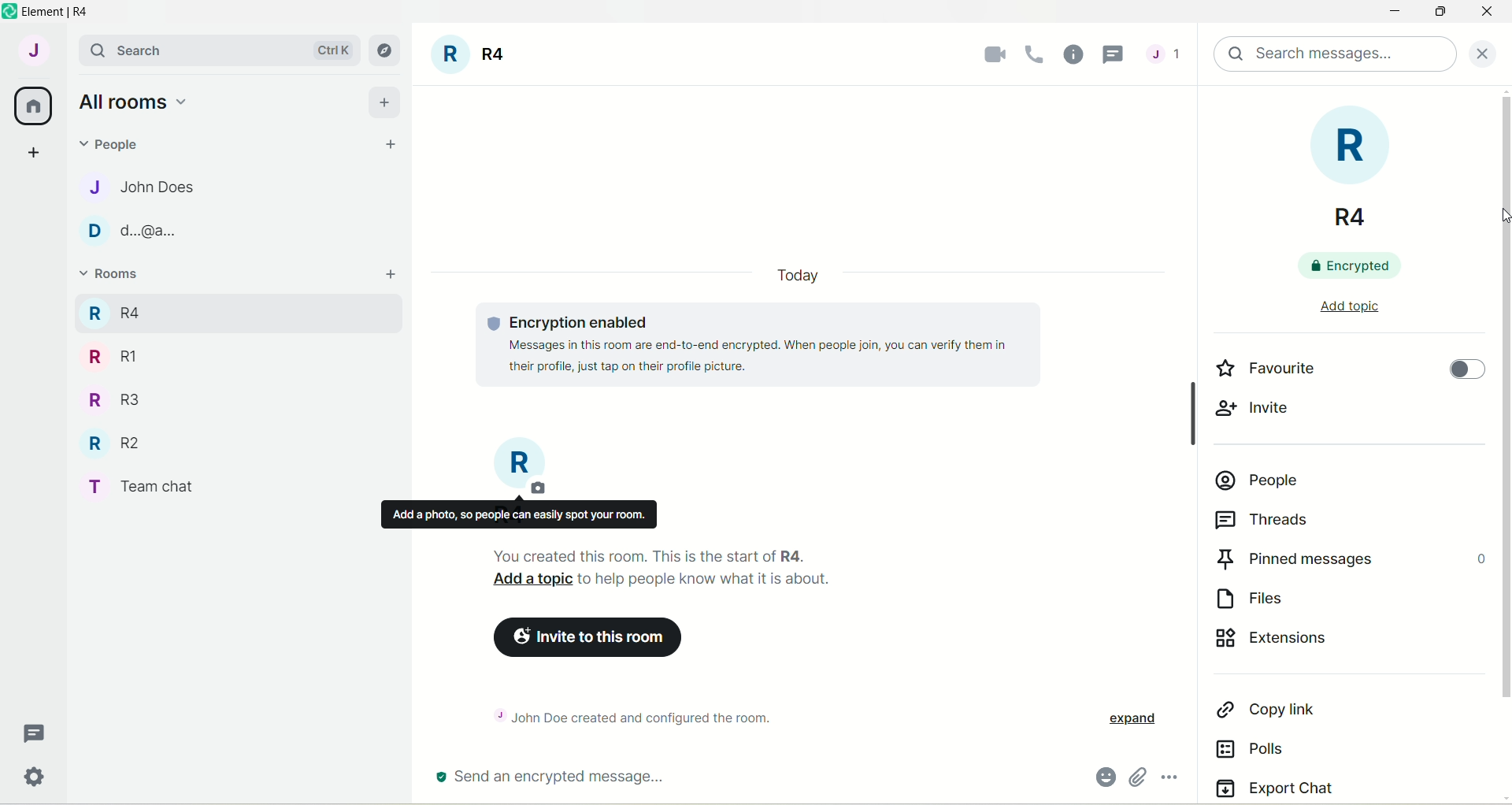 This screenshot has width=1512, height=805. I want to click on people, so click(1258, 480).